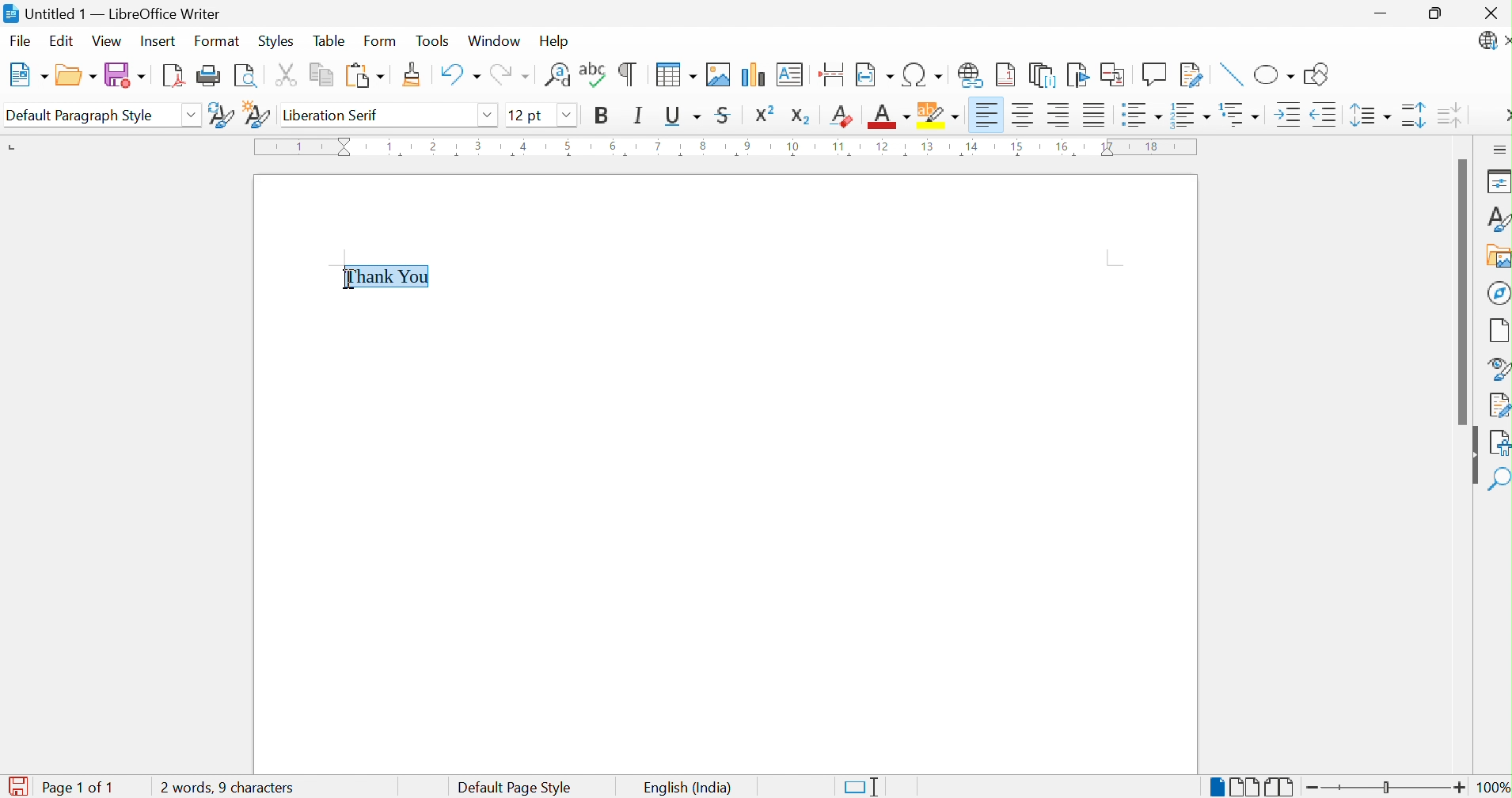 This screenshot has width=1512, height=798. What do you see at coordinates (787, 75) in the screenshot?
I see `Insert Text Box` at bounding box center [787, 75].